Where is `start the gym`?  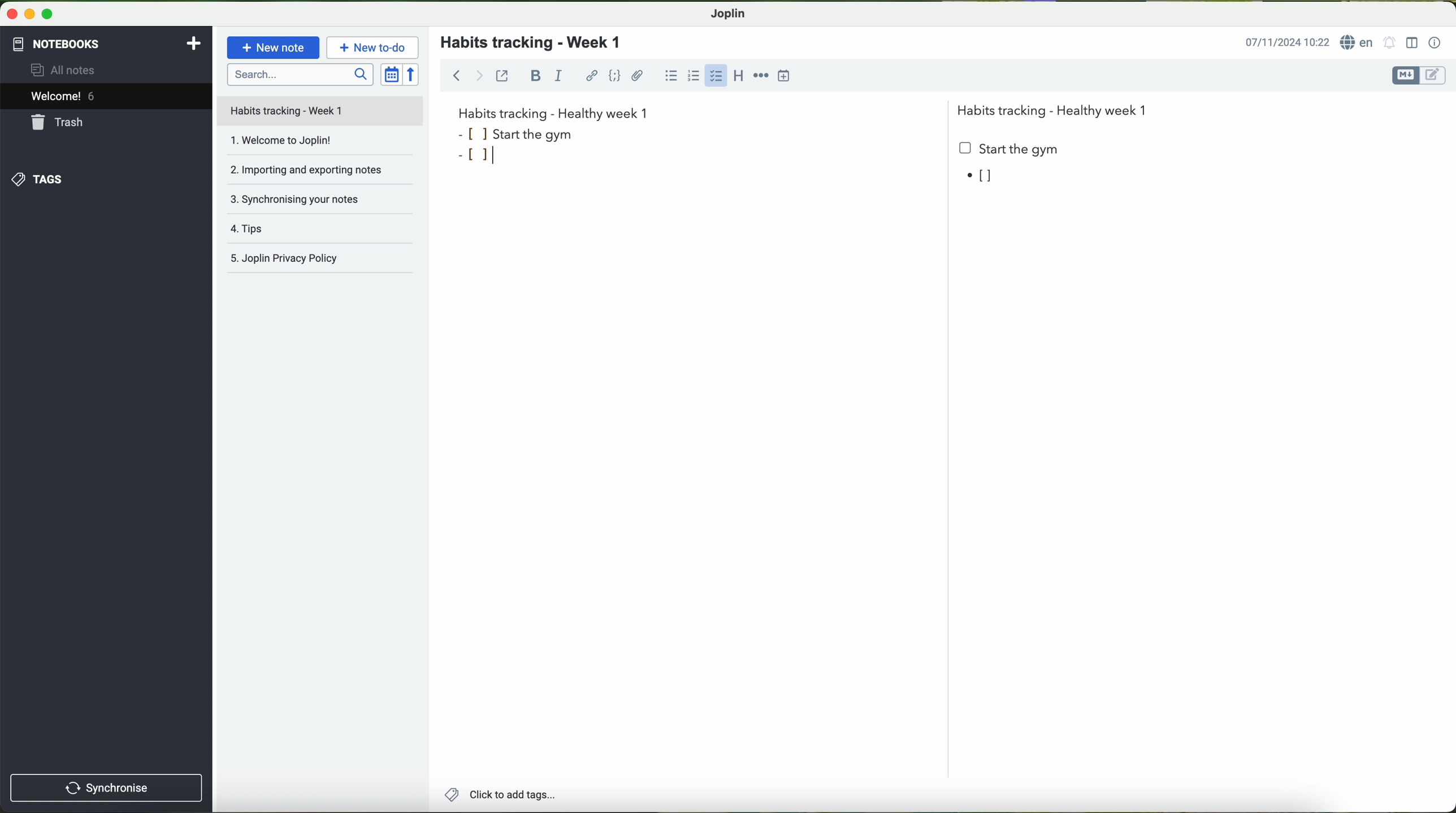
start the gym is located at coordinates (1010, 149).